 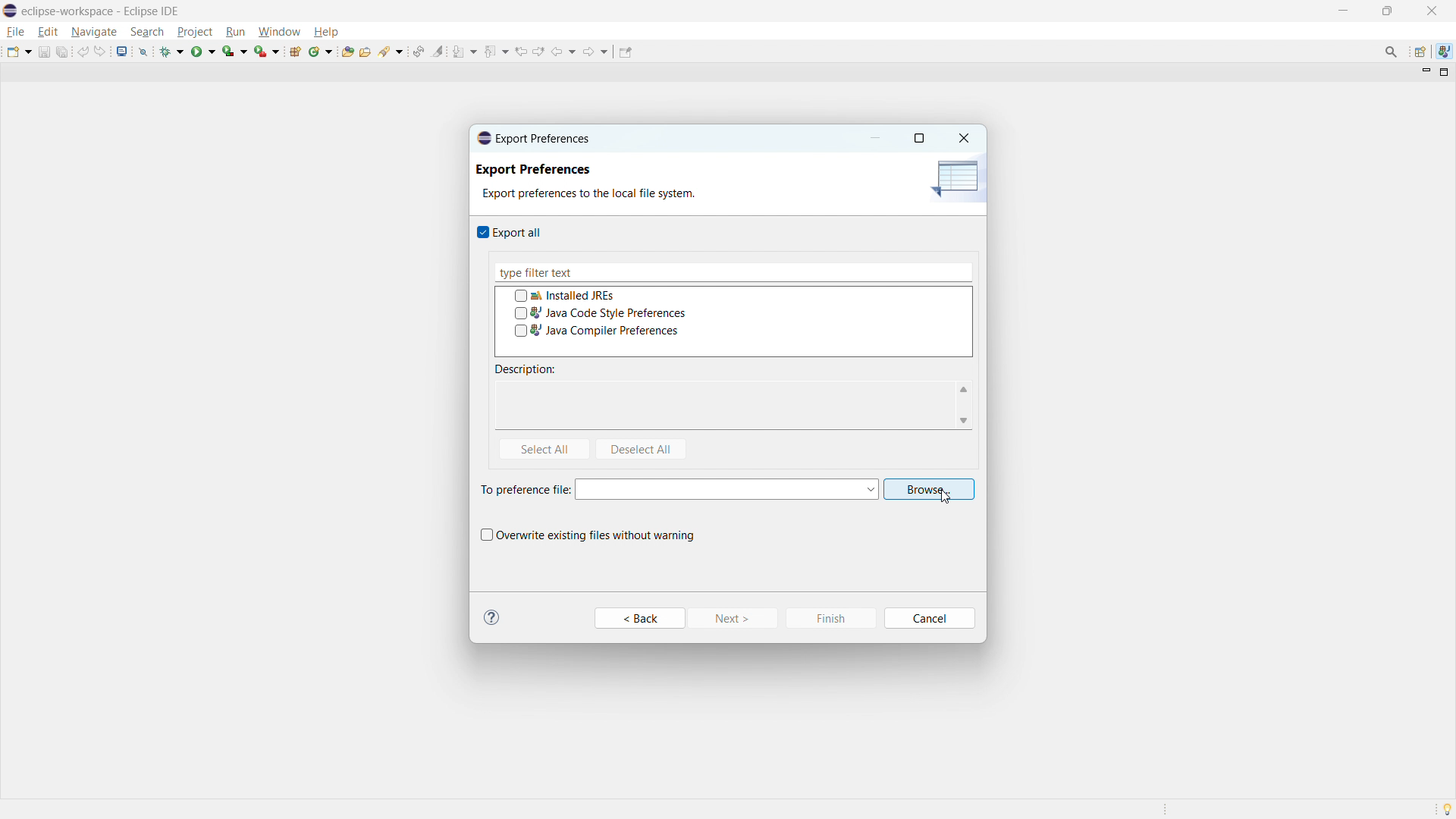 What do you see at coordinates (600, 313) in the screenshot?
I see `java code style preference` at bounding box center [600, 313].